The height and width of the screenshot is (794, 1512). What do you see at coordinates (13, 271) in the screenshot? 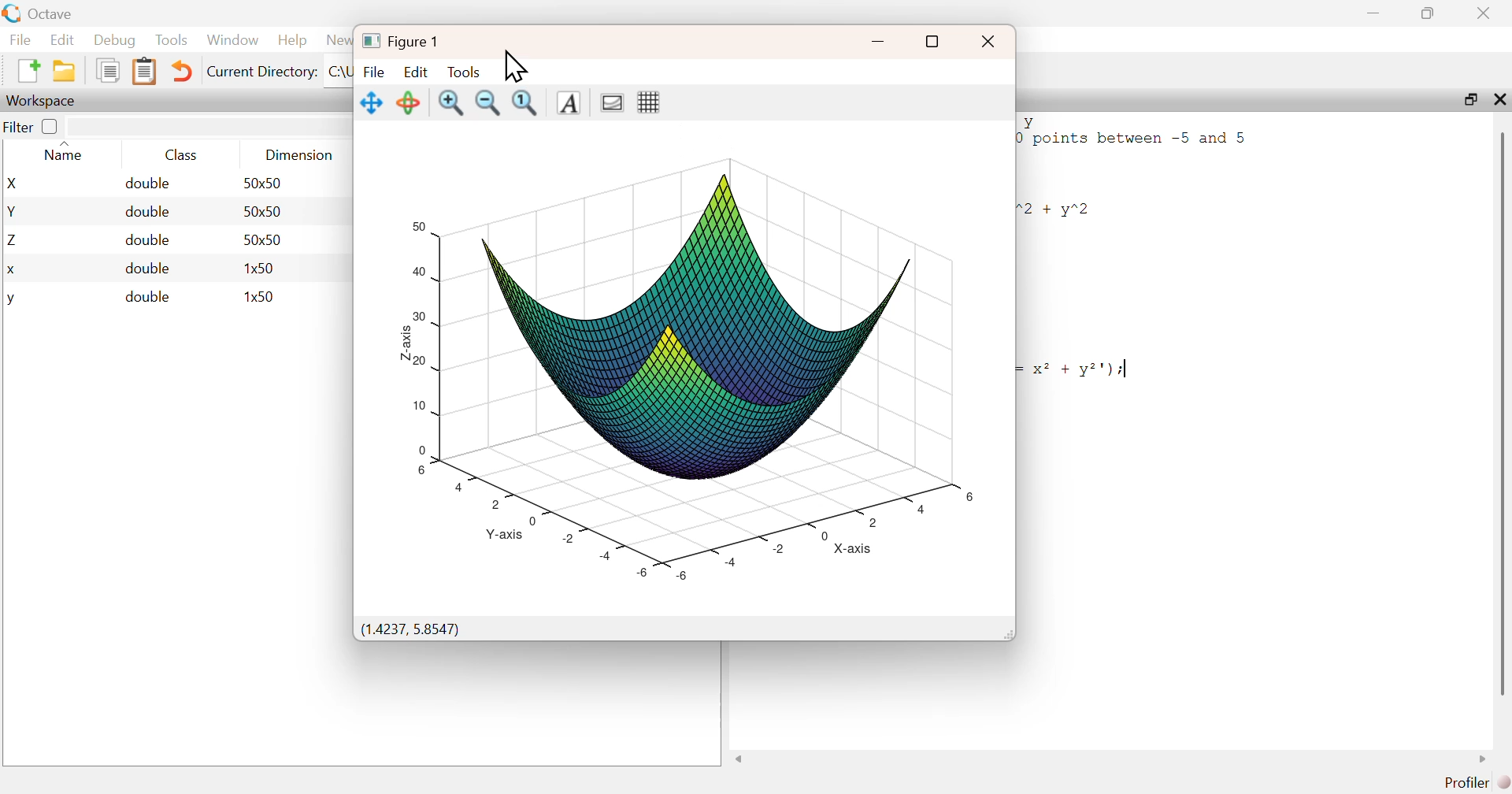
I see `x` at bounding box center [13, 271].